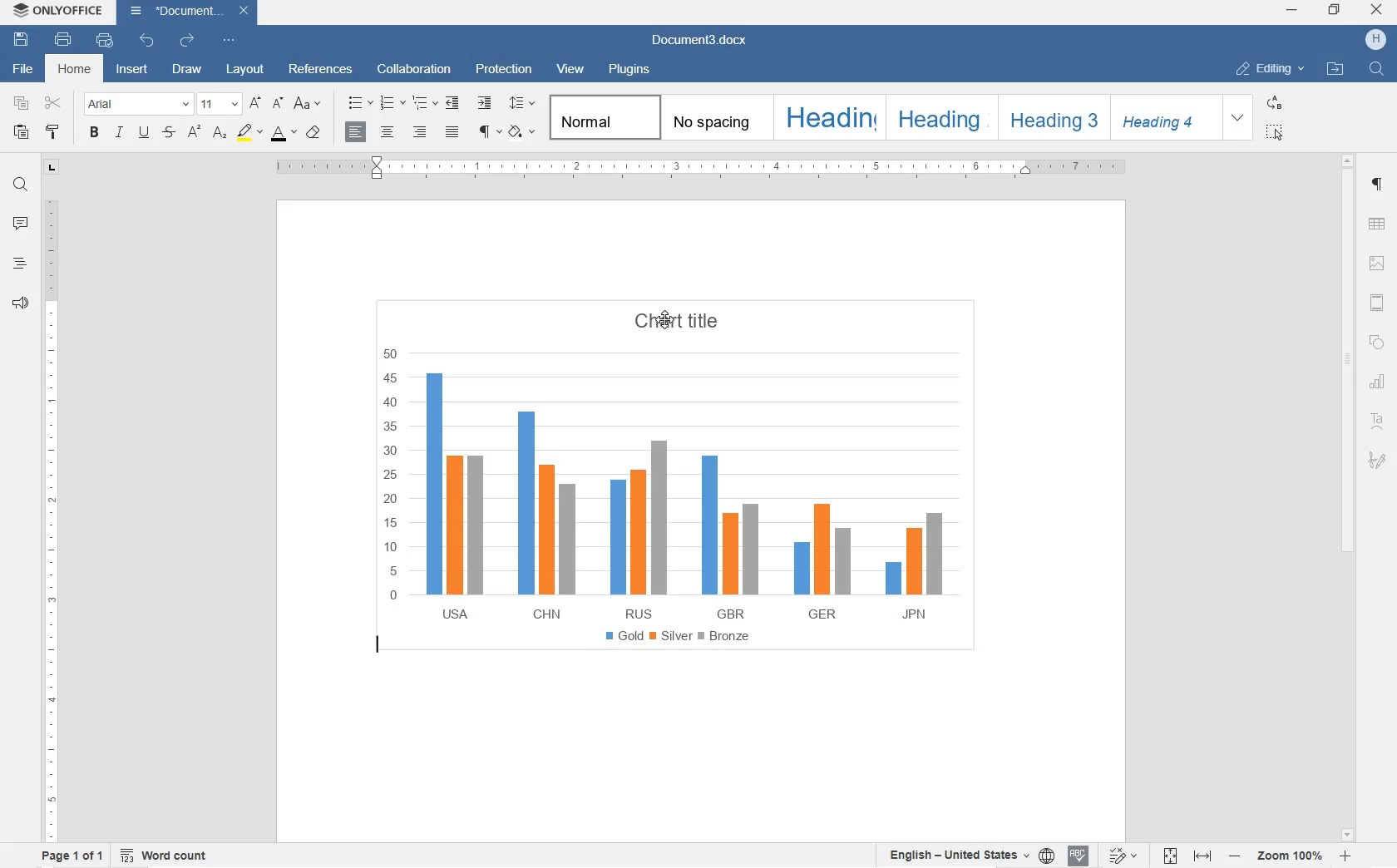 The image size is (1397, 868). Describe the element at coordinates (187, 71) in the screenshot. I see `DRAW` at that location.